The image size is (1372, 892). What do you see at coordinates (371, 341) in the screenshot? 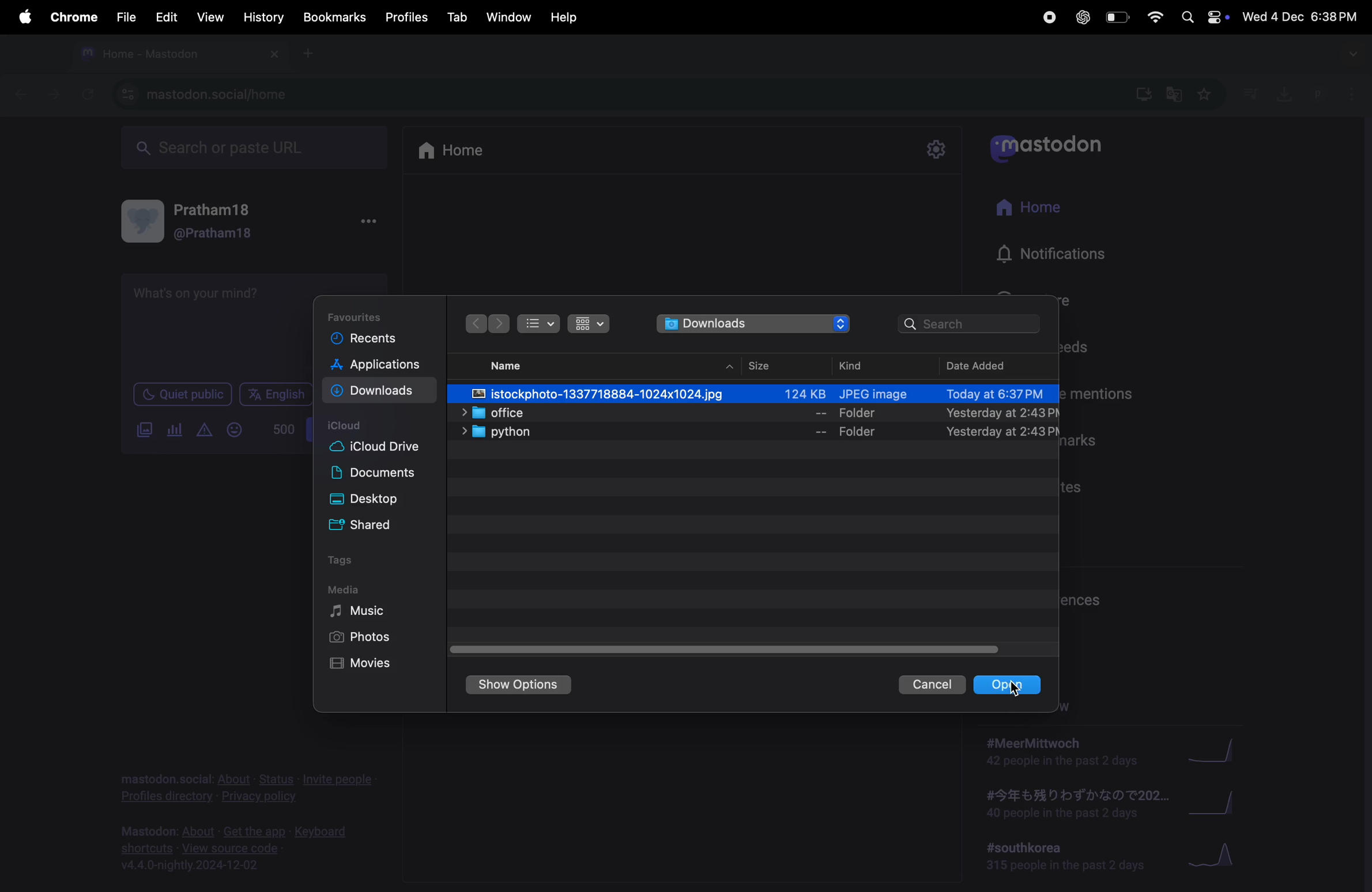
I see `recents` at bounding box center [371, 341].